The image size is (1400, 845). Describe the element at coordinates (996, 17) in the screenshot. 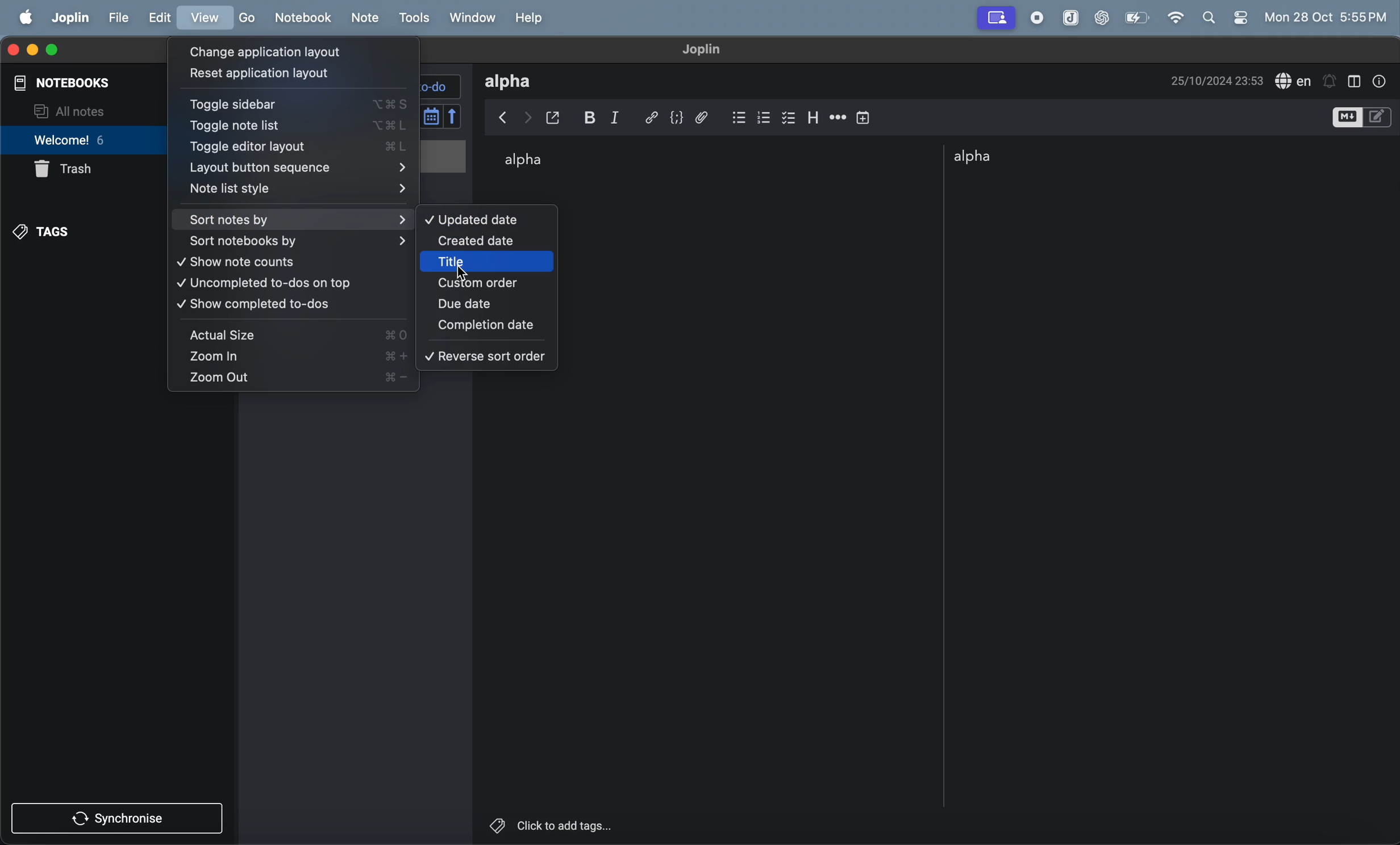

I see `web` at that location.